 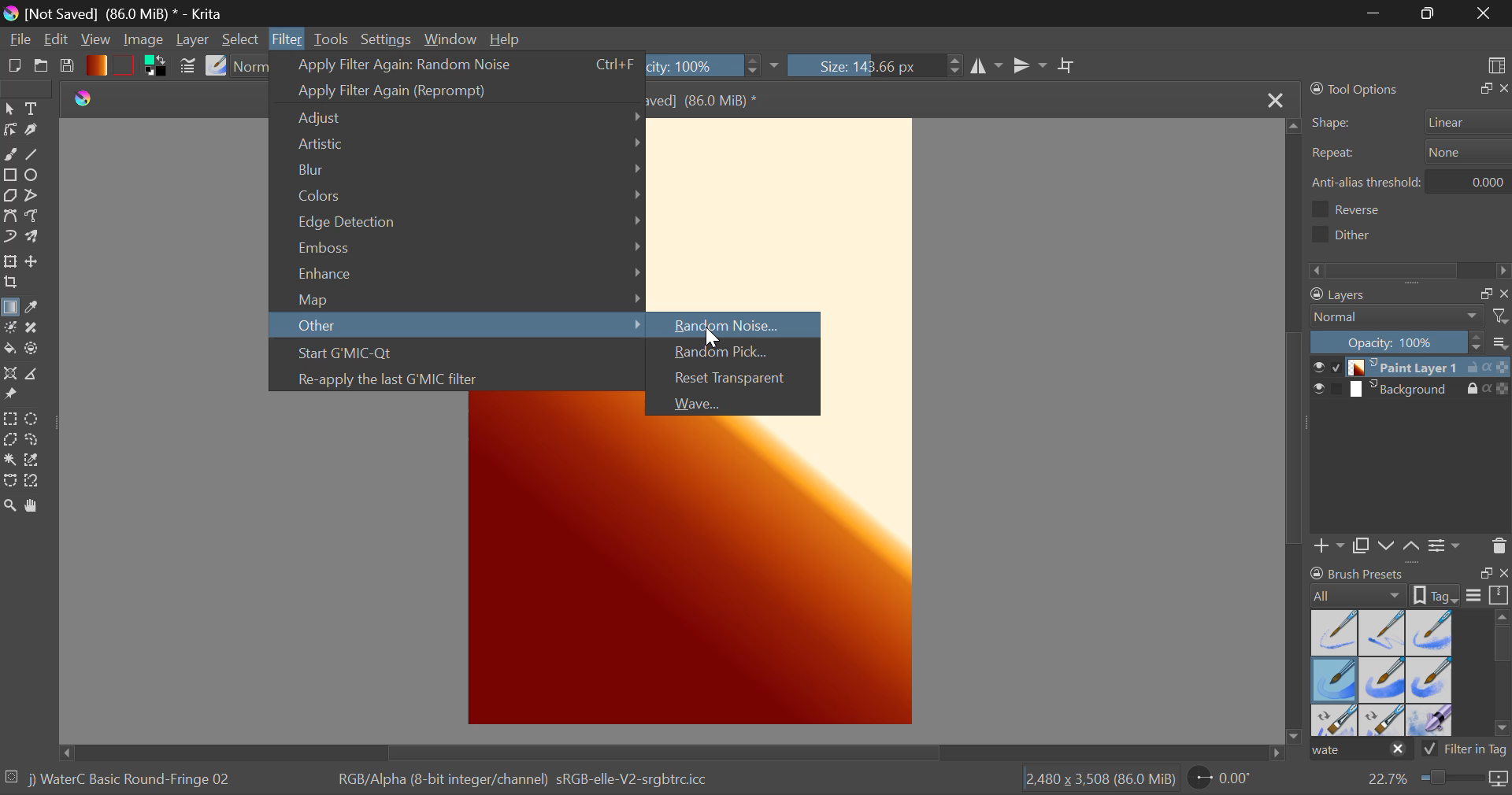 What do you see at coordinates (1347, 234) in the screenshot?
I see `dither` at bounding box center [1347, 234].